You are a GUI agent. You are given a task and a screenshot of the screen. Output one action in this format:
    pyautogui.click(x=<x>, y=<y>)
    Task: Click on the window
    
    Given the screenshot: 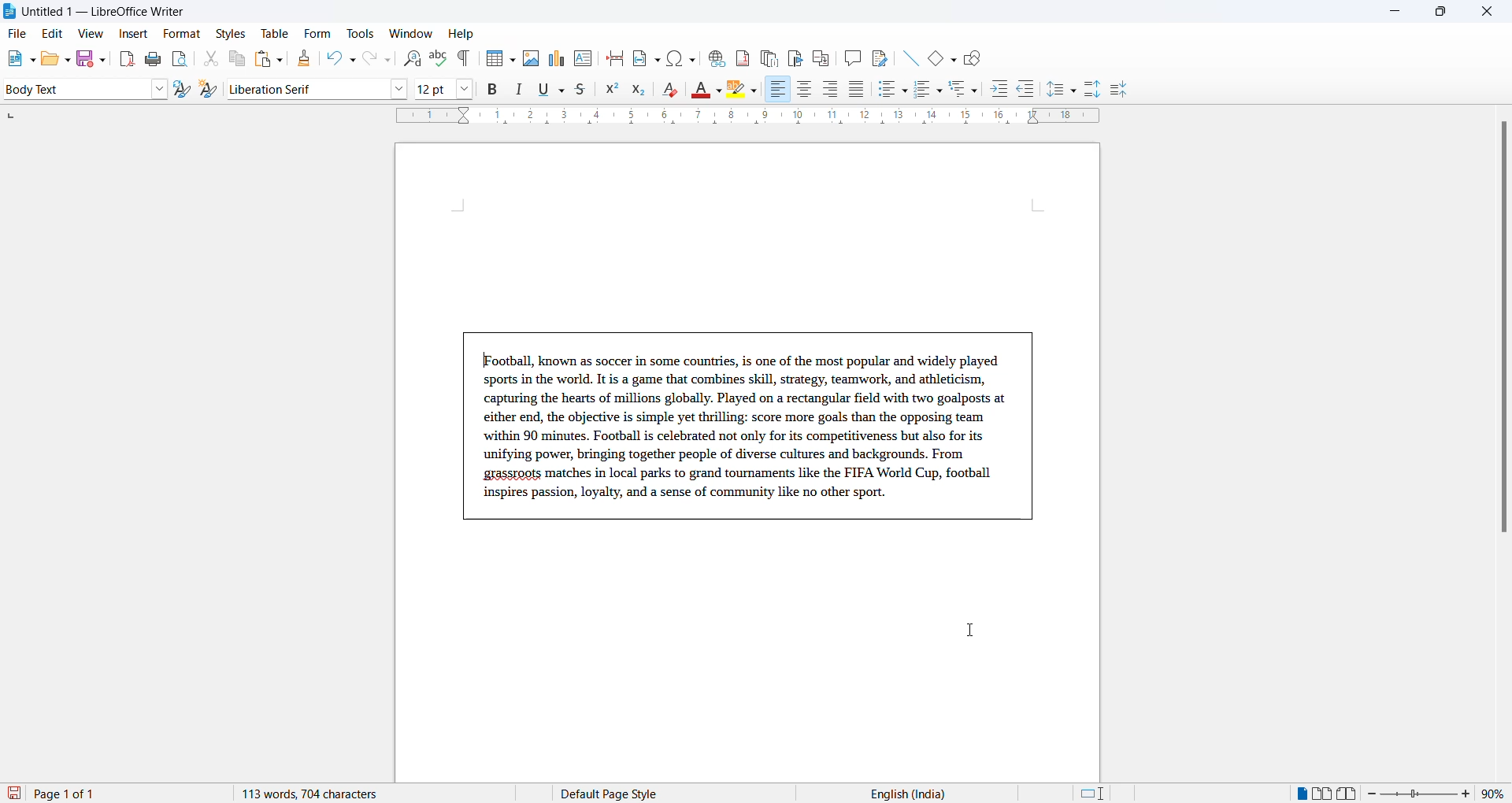 What is the action you would take?
    pyautogui.click(x=412, y=34)
    